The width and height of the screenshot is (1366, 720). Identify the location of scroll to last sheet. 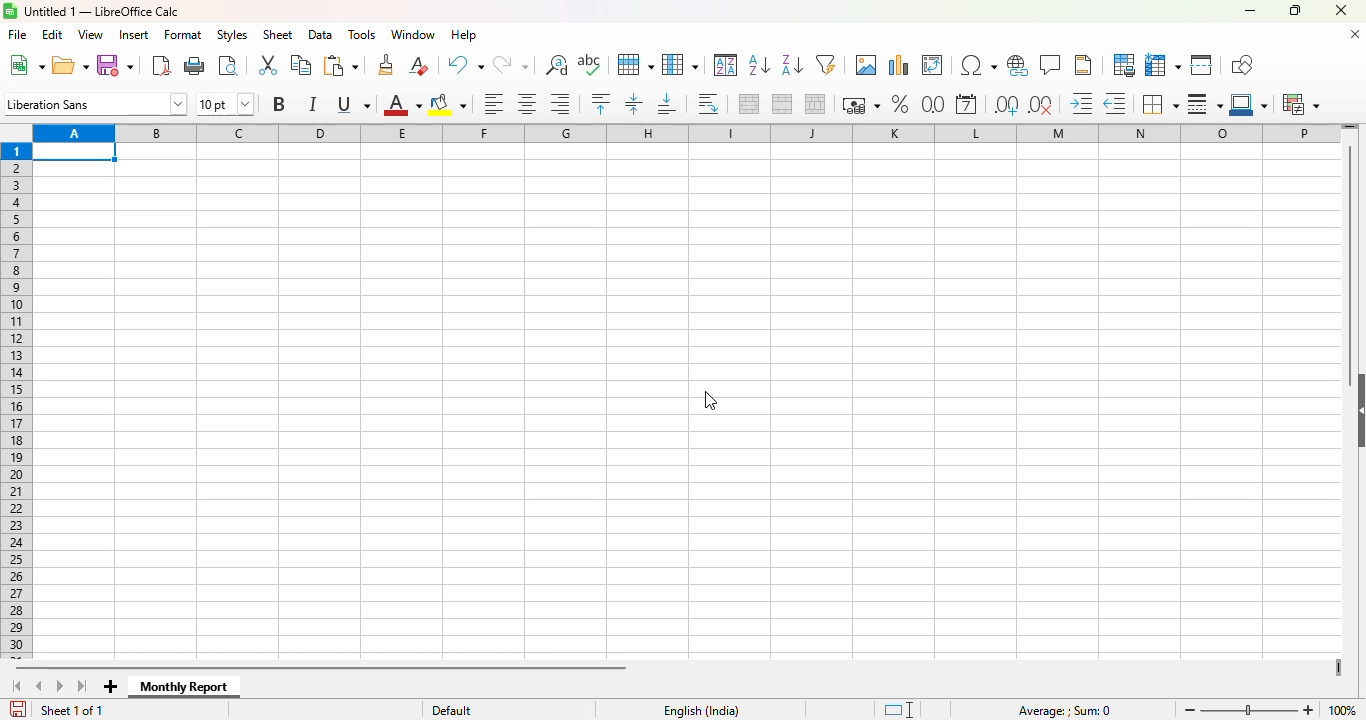
(82, 687).